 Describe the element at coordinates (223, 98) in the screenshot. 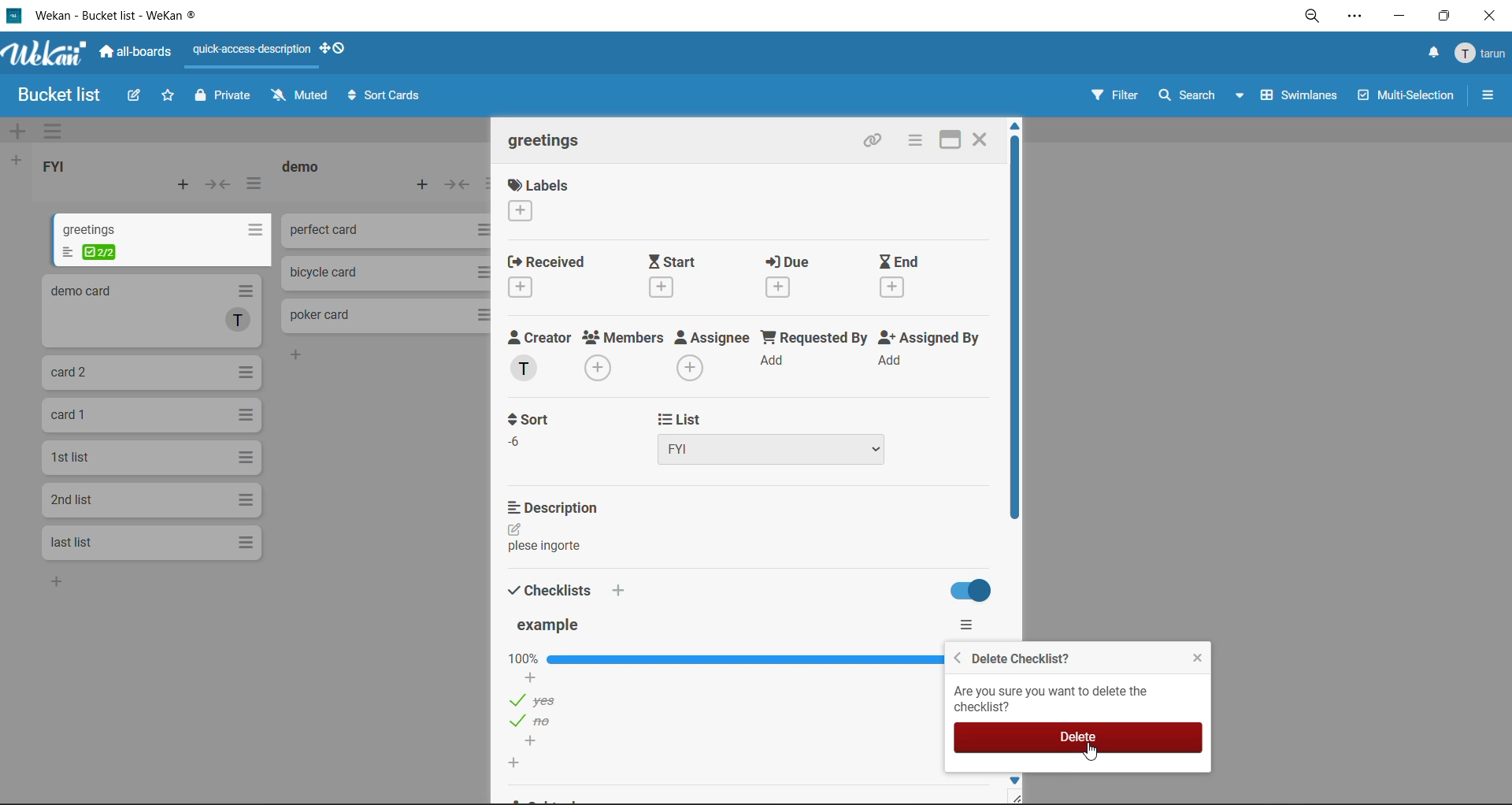

I see `private` at that location.